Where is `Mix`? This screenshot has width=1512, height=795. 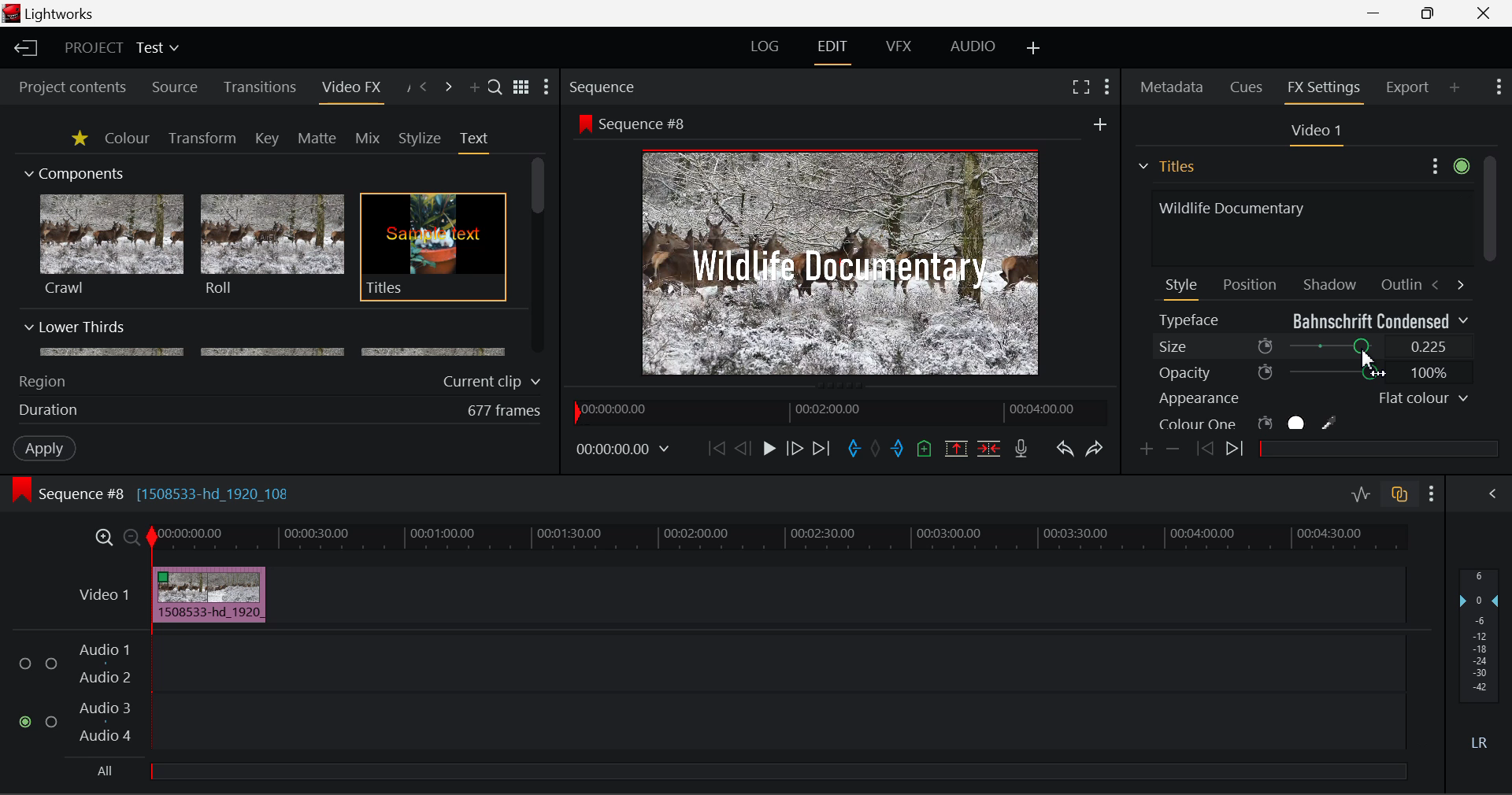 Mix is located at coordinates (367, 139).